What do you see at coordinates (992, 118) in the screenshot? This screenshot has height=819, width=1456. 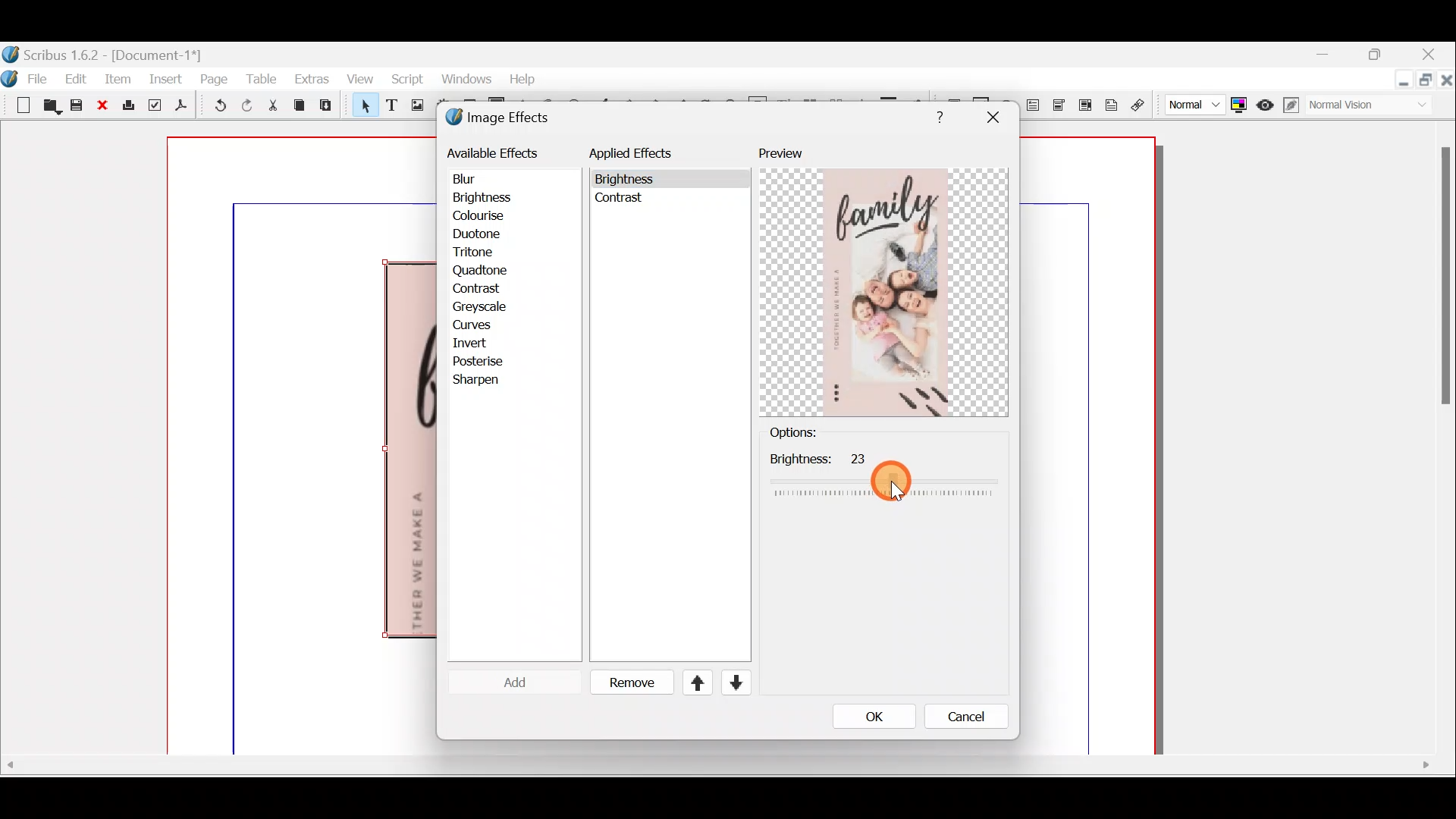 I see `` at bounding box center [992, 118].